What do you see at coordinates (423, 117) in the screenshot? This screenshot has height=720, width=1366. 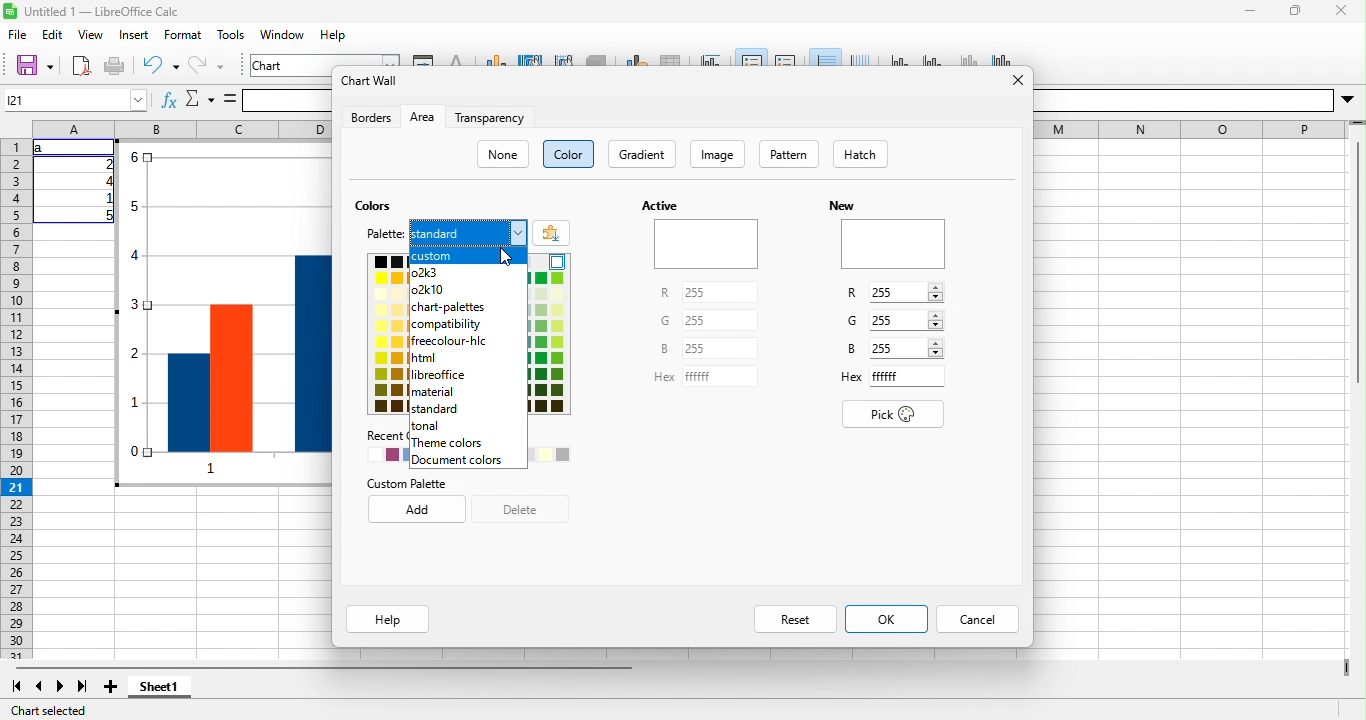 I see `area` at bounding box center [423, 117].